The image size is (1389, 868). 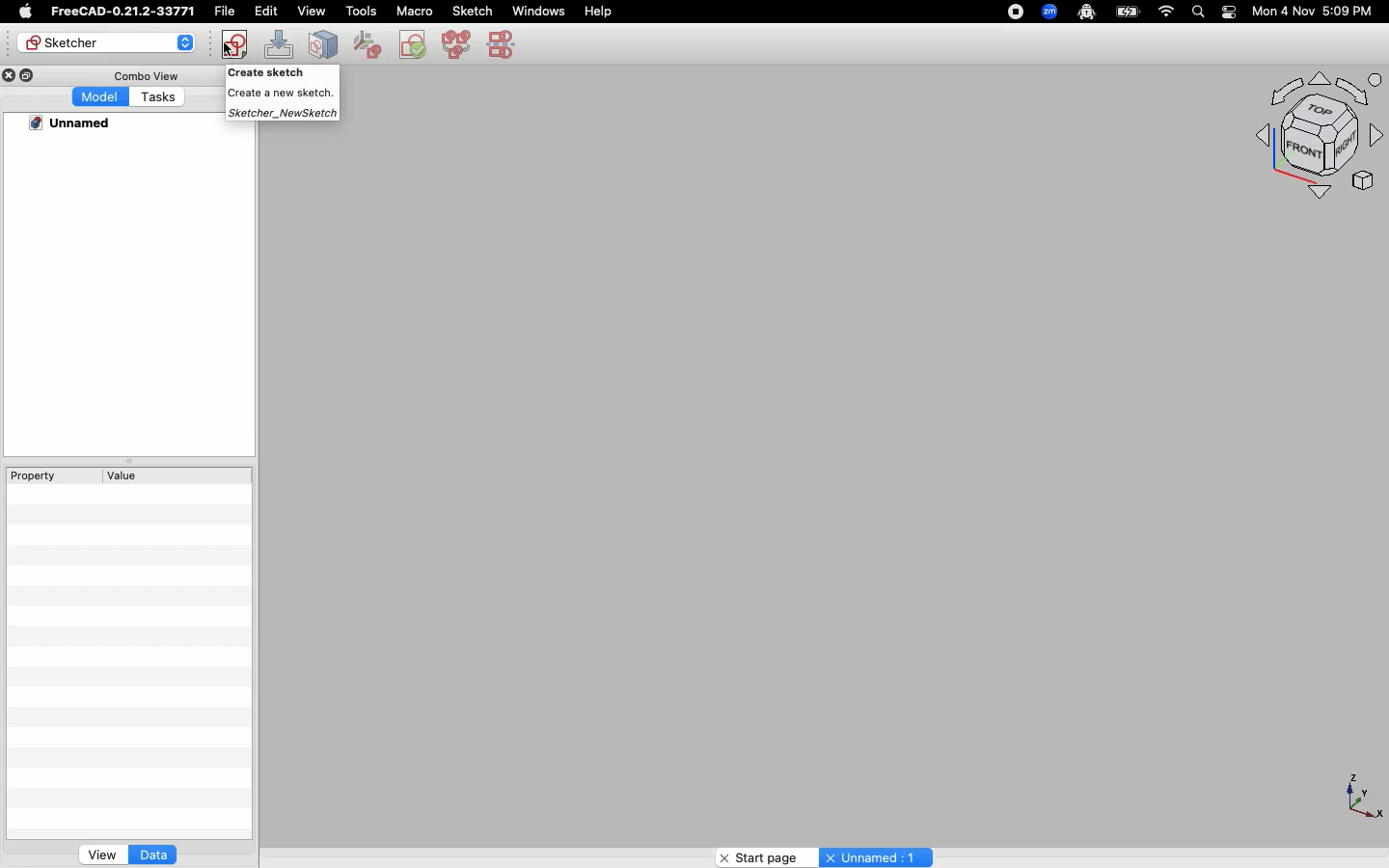 What do you see at coordinates (322, 43) in the screenshot?
I see `Close sketch` at bounding box center [322, 43].